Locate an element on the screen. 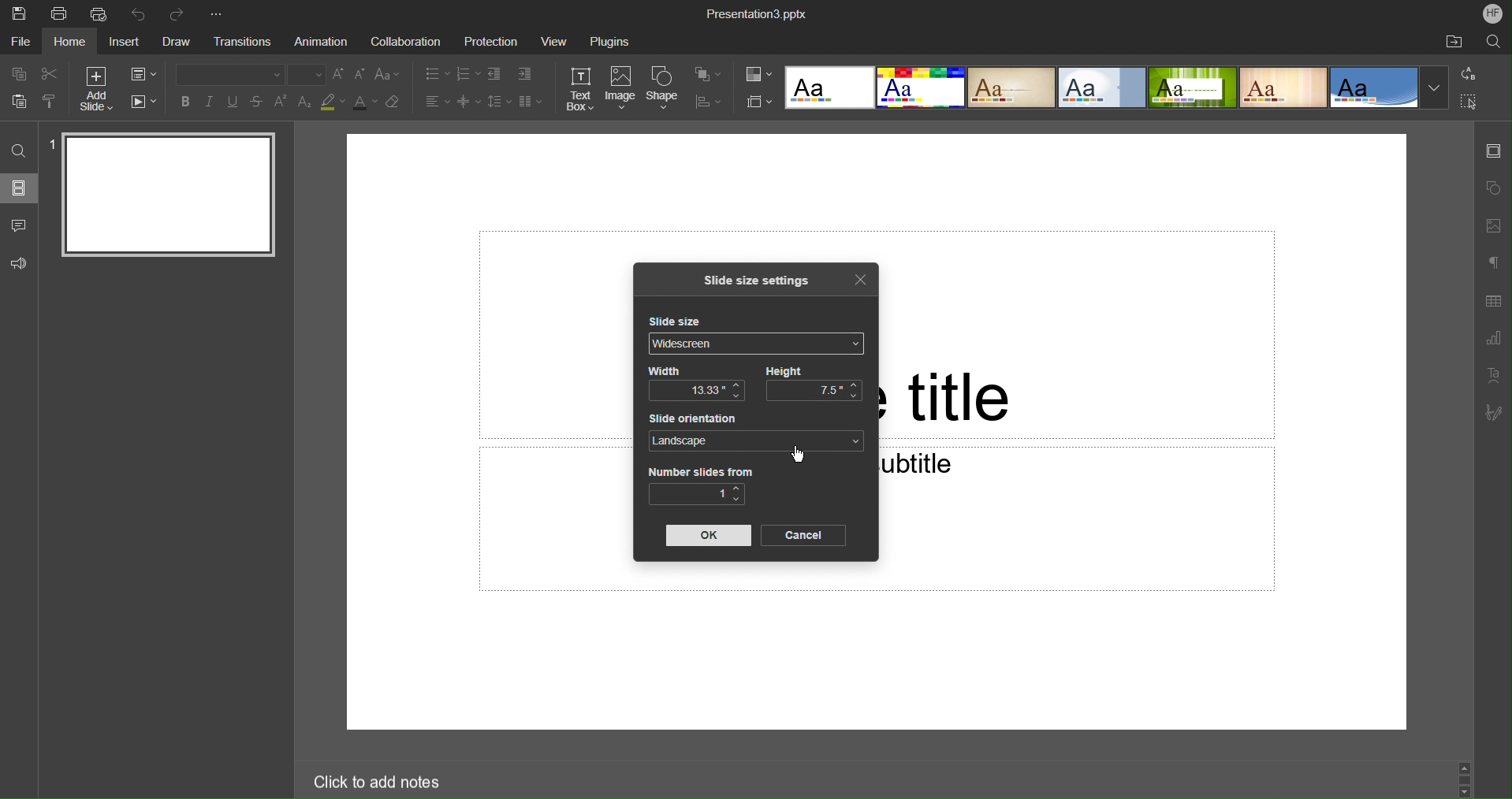 The width and height of the screenshot is (1512, 799). Graph is located at coordinates (1494, 339).